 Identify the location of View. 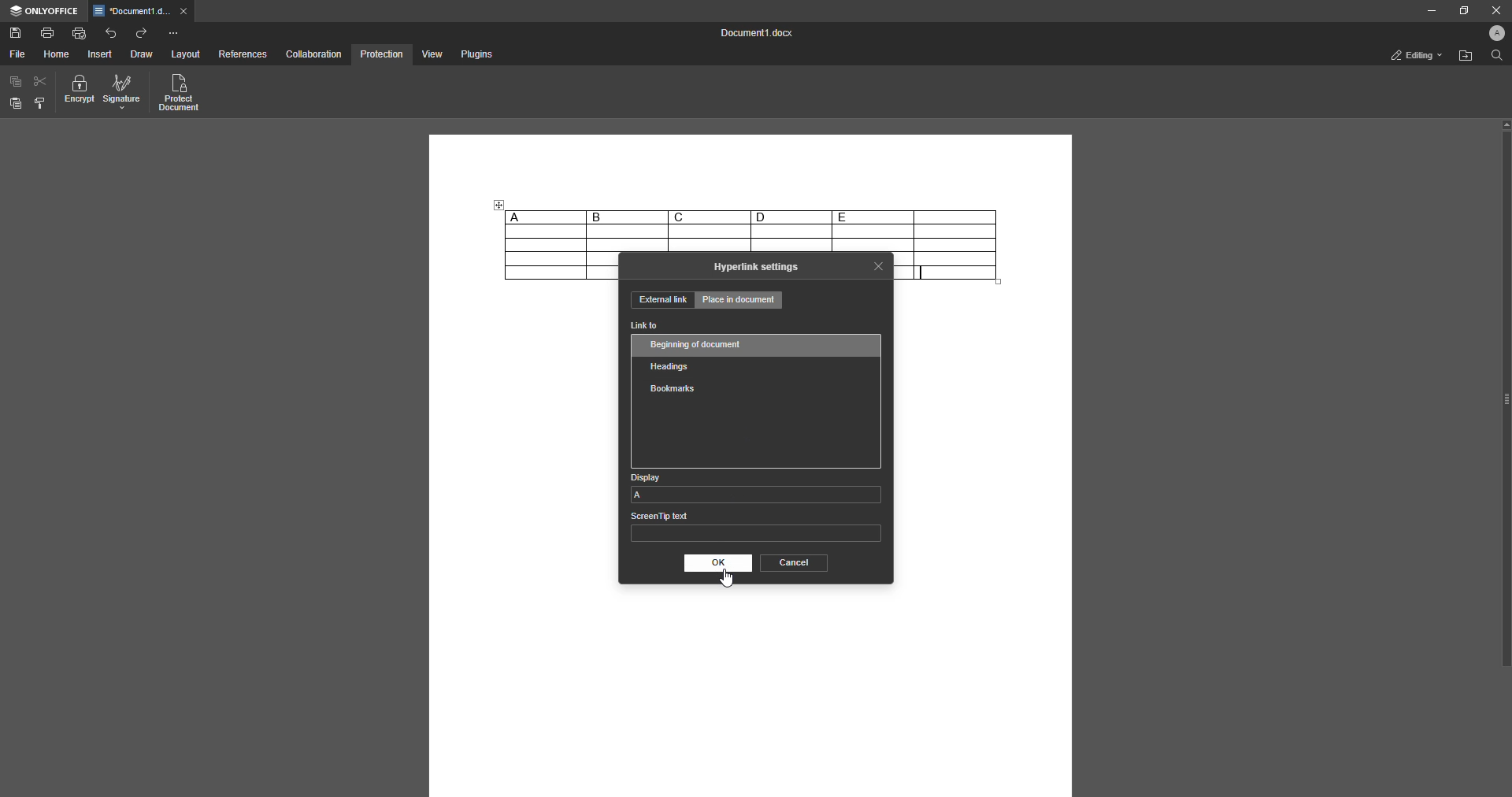
(430, 55).